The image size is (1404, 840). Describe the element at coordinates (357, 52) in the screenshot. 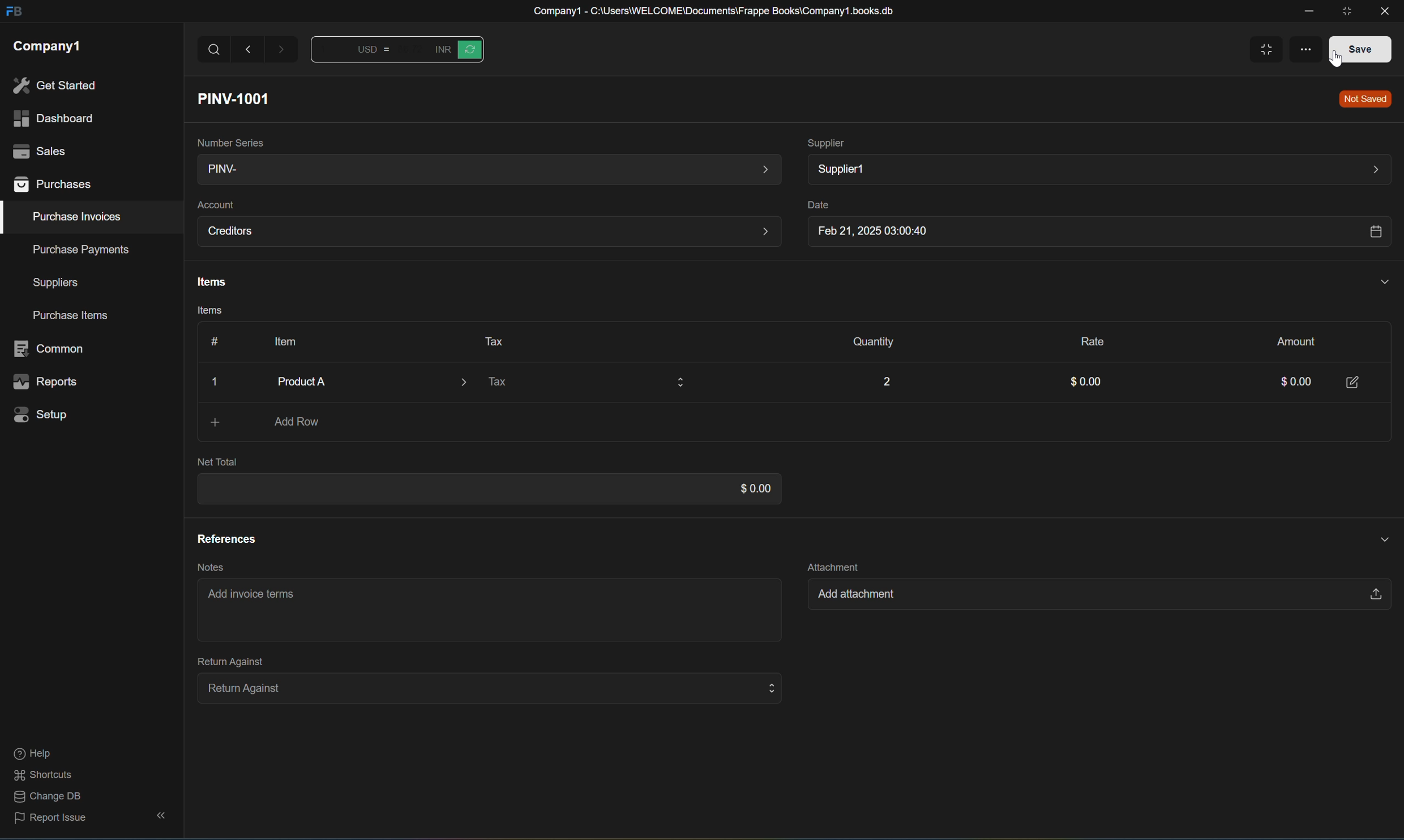

I see `Button` at that location.